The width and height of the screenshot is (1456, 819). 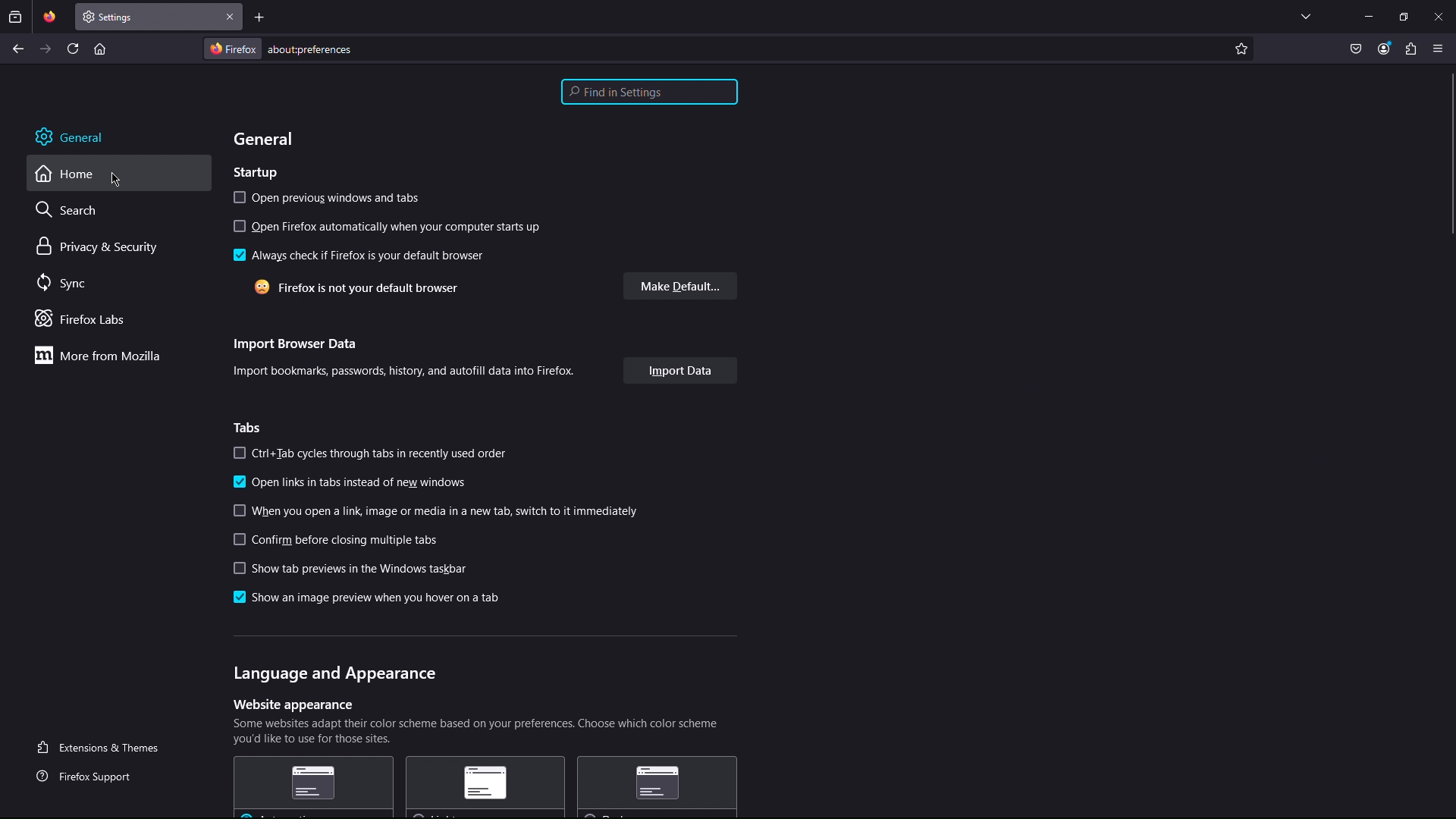 I want to click on Appearance option 3, so click(x=657, y=786).